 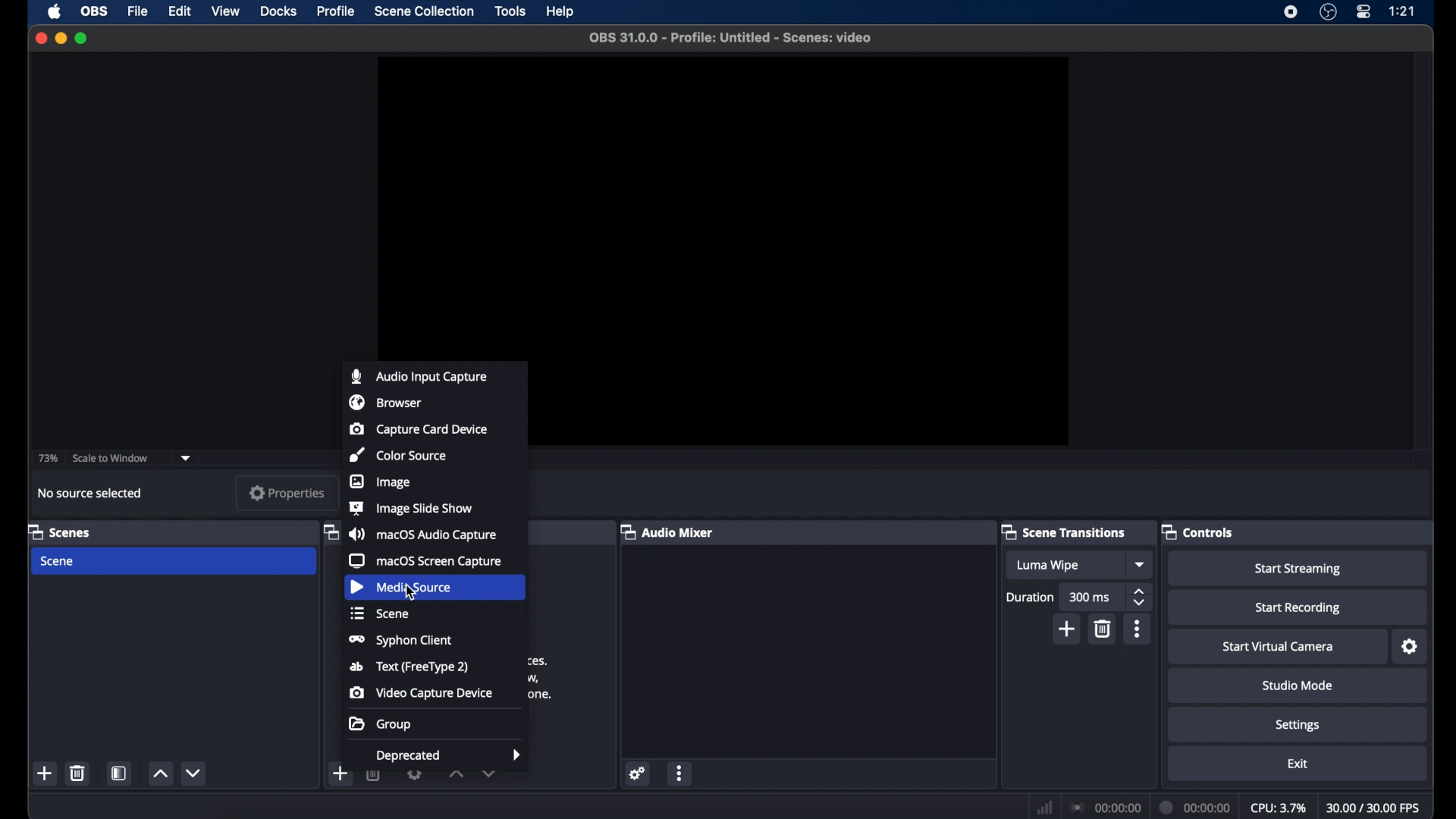 I want to click on scene filters, so click(x=119, y=775).